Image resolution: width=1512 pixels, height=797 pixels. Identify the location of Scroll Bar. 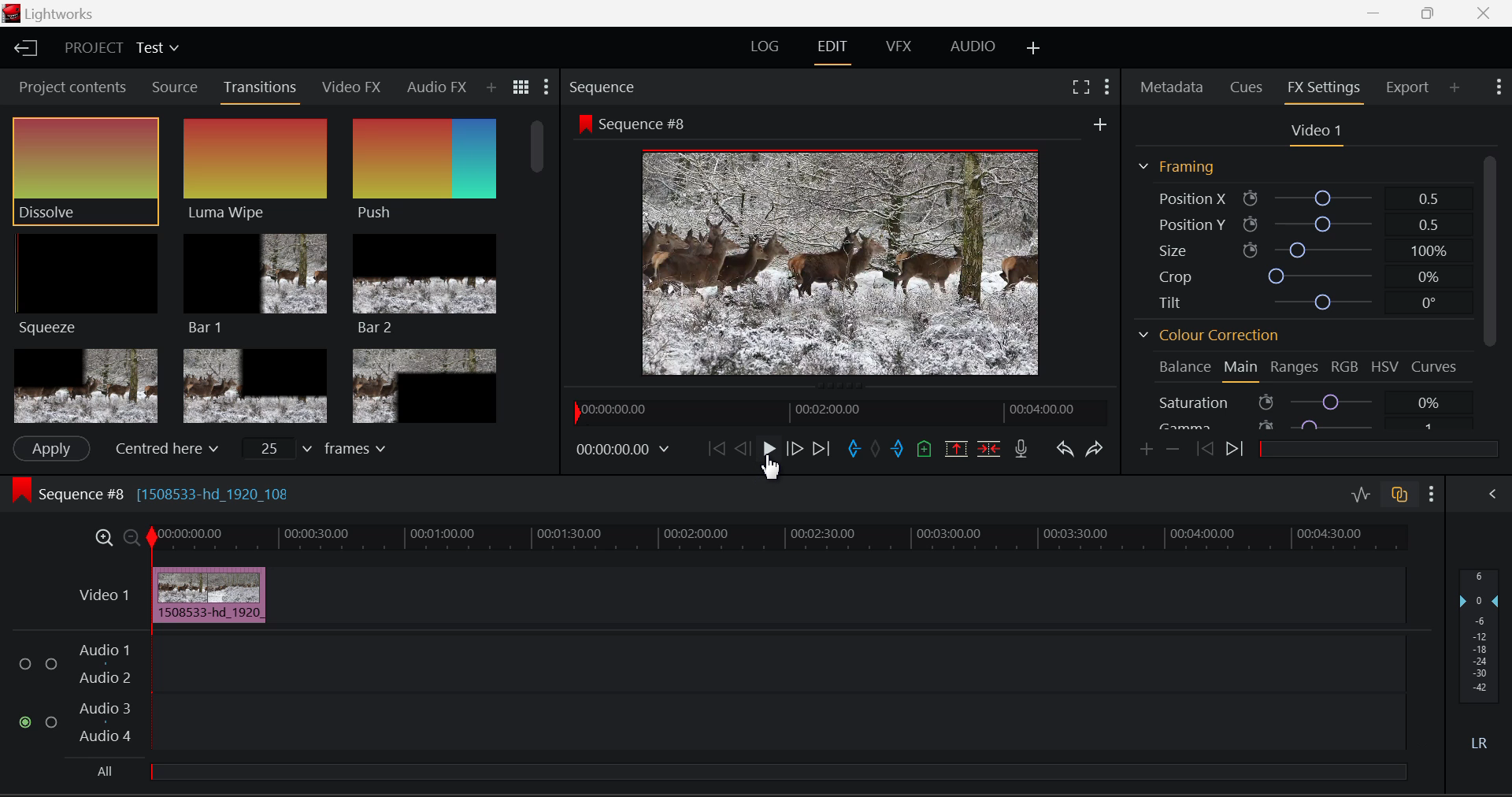
(541, 267).